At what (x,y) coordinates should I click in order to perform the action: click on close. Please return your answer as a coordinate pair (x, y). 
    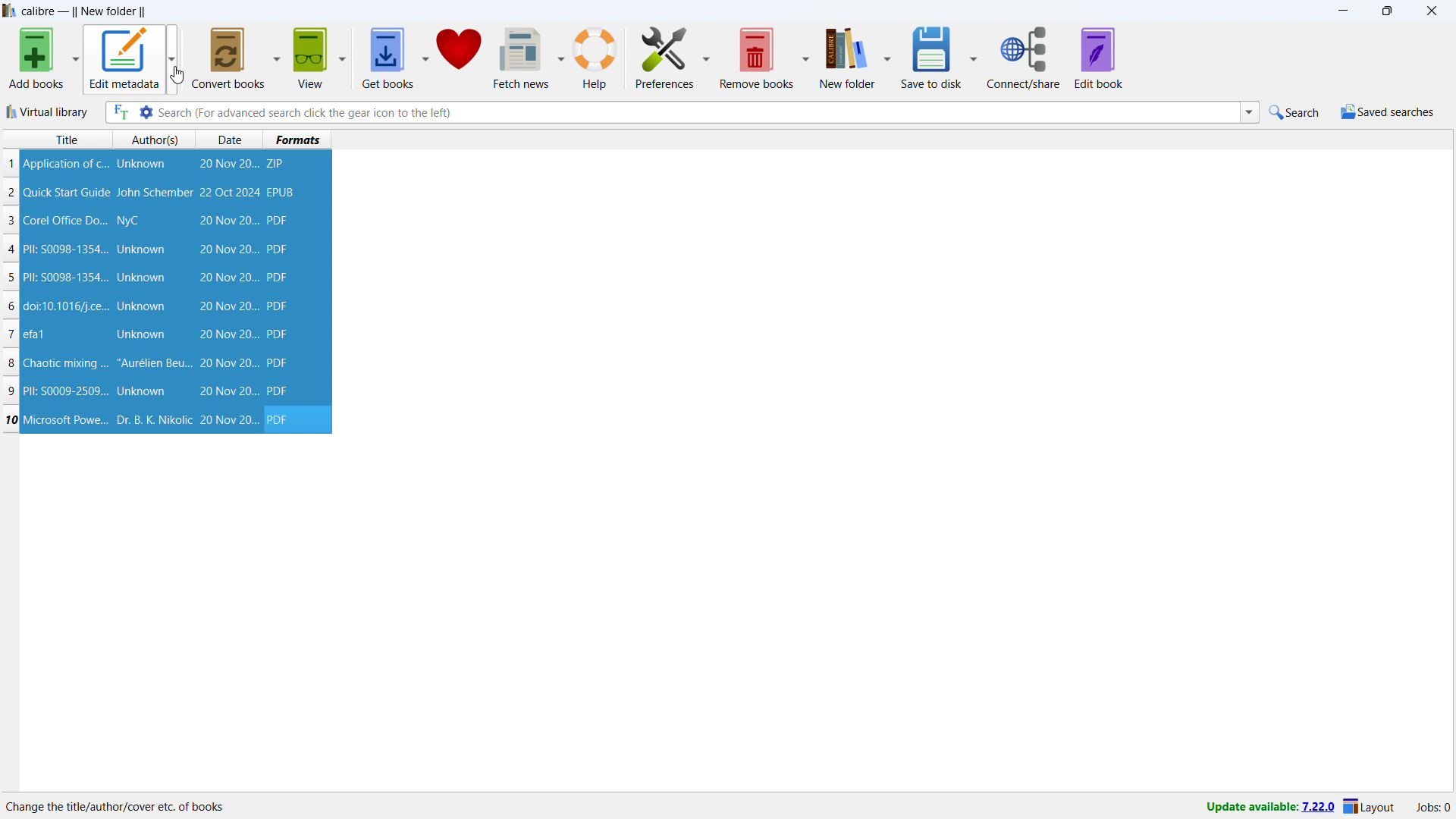
    Looking at the image, I should click on (1431, 11).